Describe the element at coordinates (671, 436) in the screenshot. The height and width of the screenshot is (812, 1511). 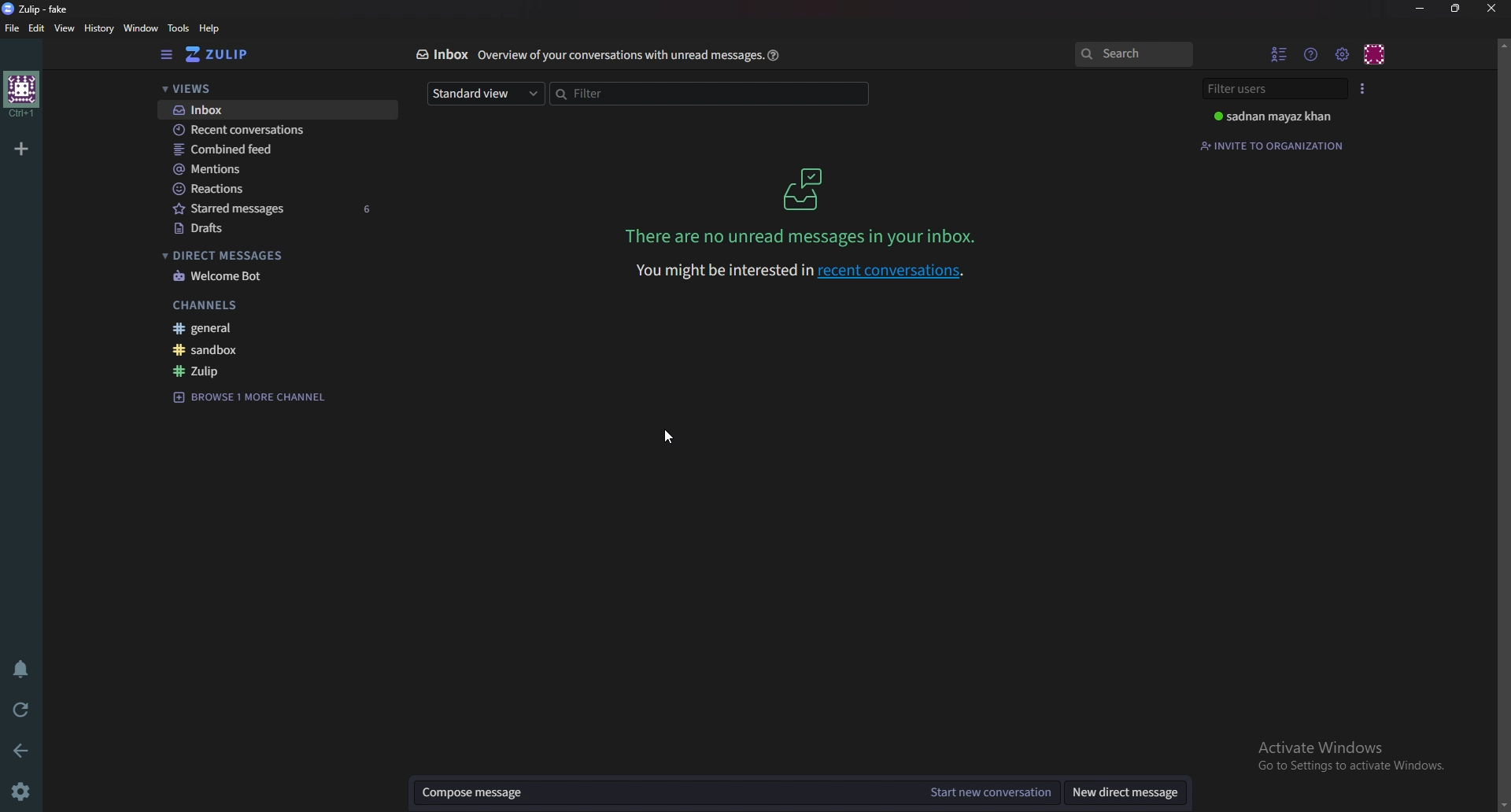
I see `cursor` at that location.